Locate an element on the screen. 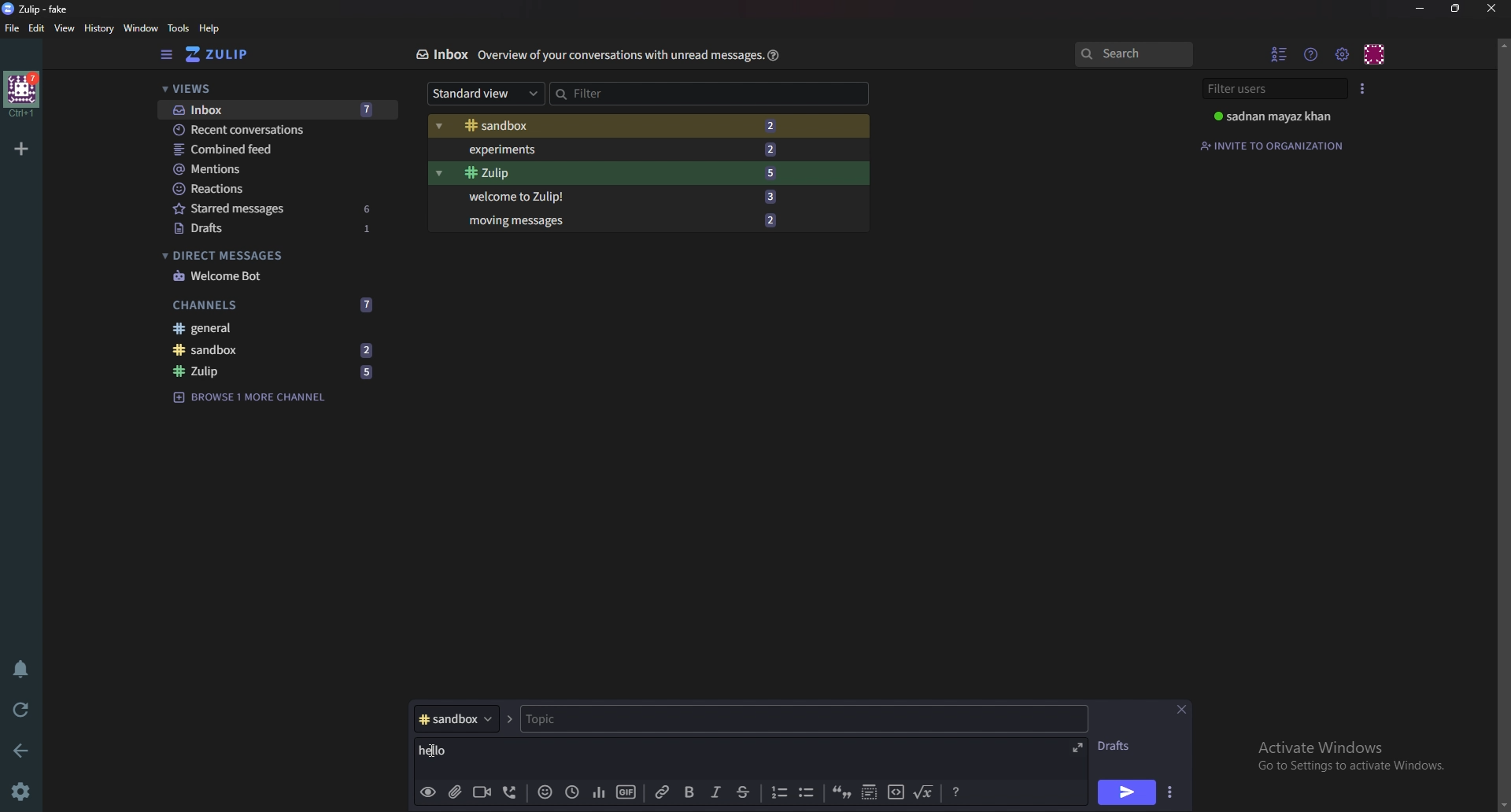  Recent conversations is located at coordinates (269, 131).